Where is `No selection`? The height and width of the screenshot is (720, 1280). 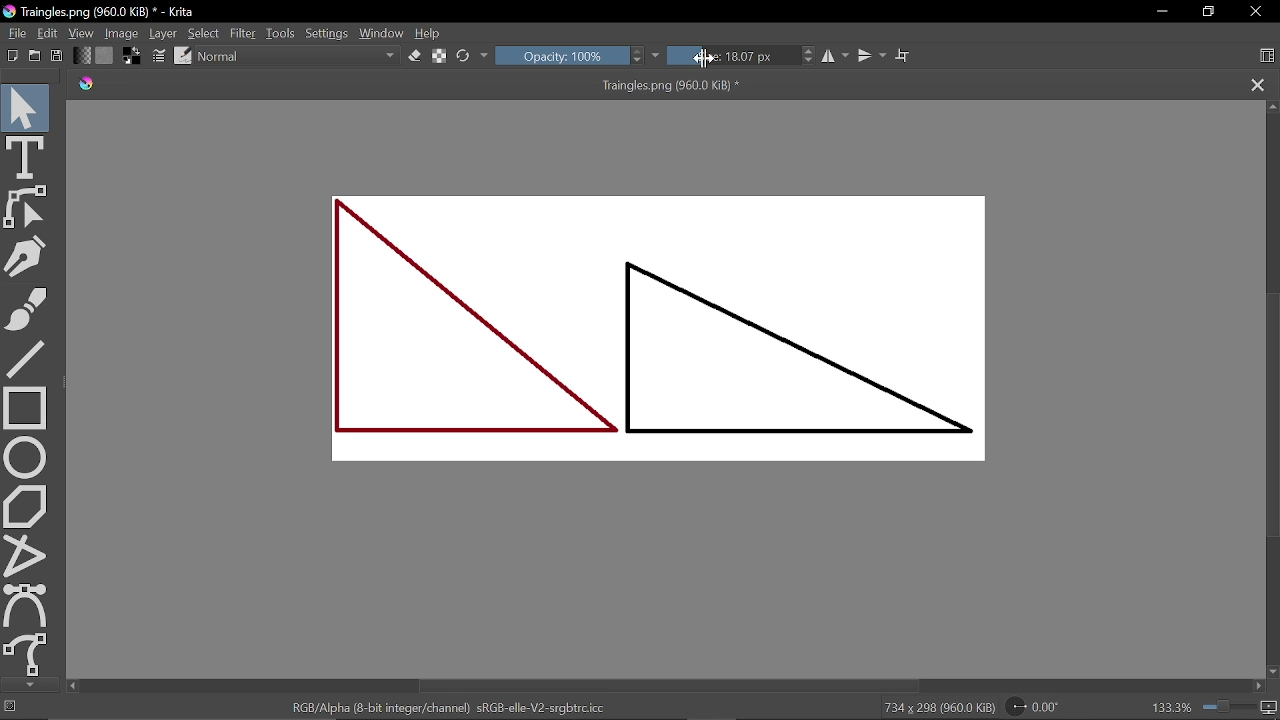
No selection is located at coordinates (12, 708).